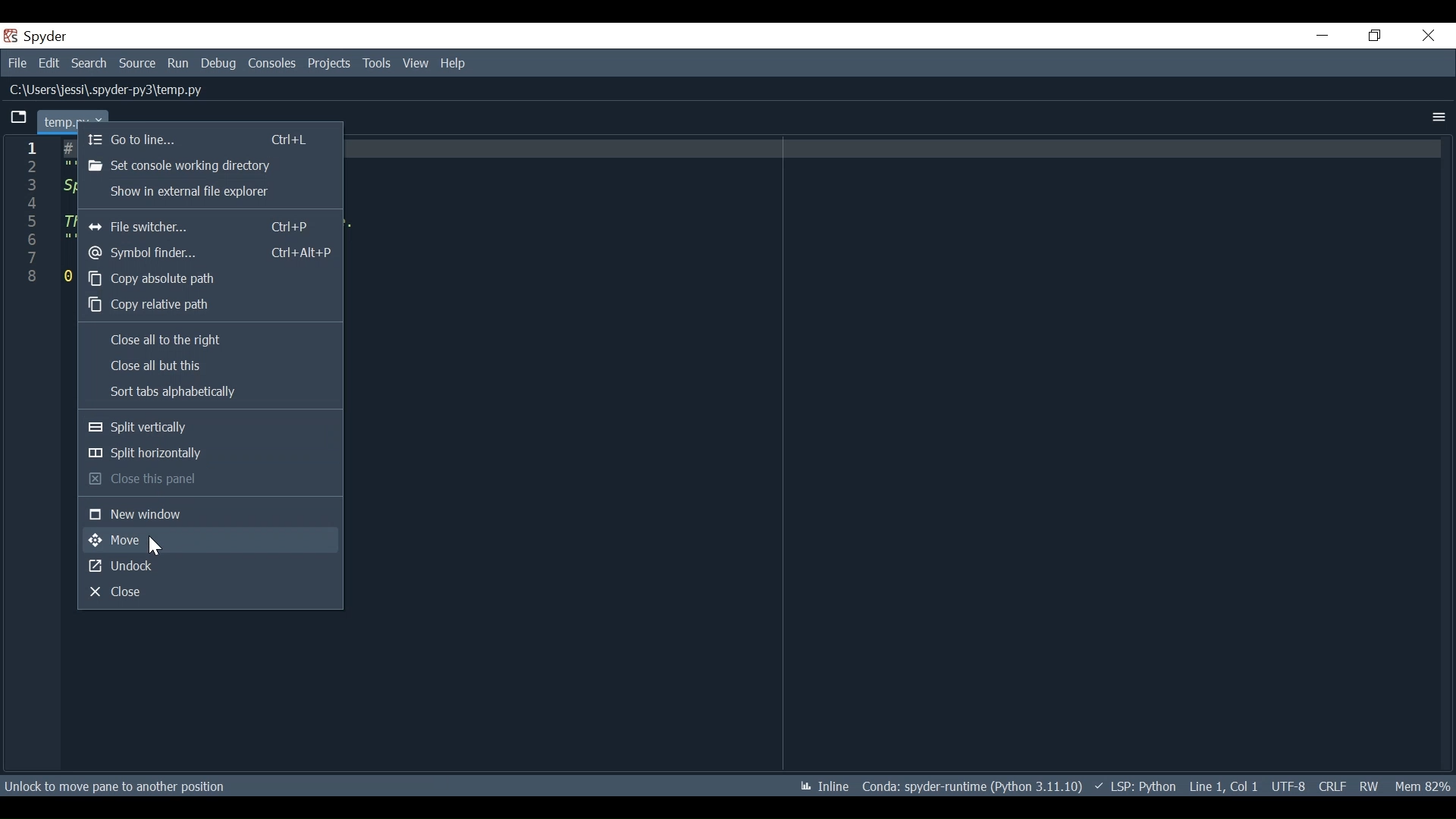 The height and width of the screenshot is (819, 1456). What do you see at coordinates (329, 63) in the screenshot?
I see `Projects` at bounding box center [329, 63].